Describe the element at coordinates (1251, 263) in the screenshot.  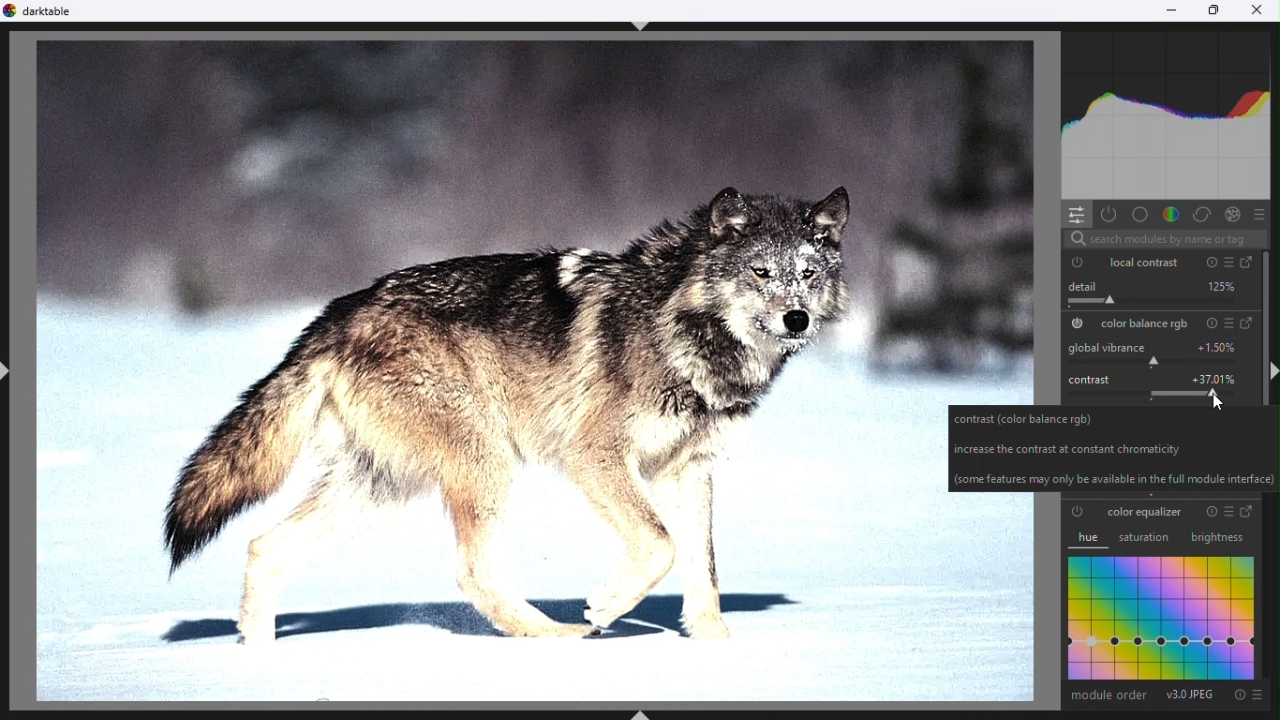
I see `go to full version of local contrasst` at that location.